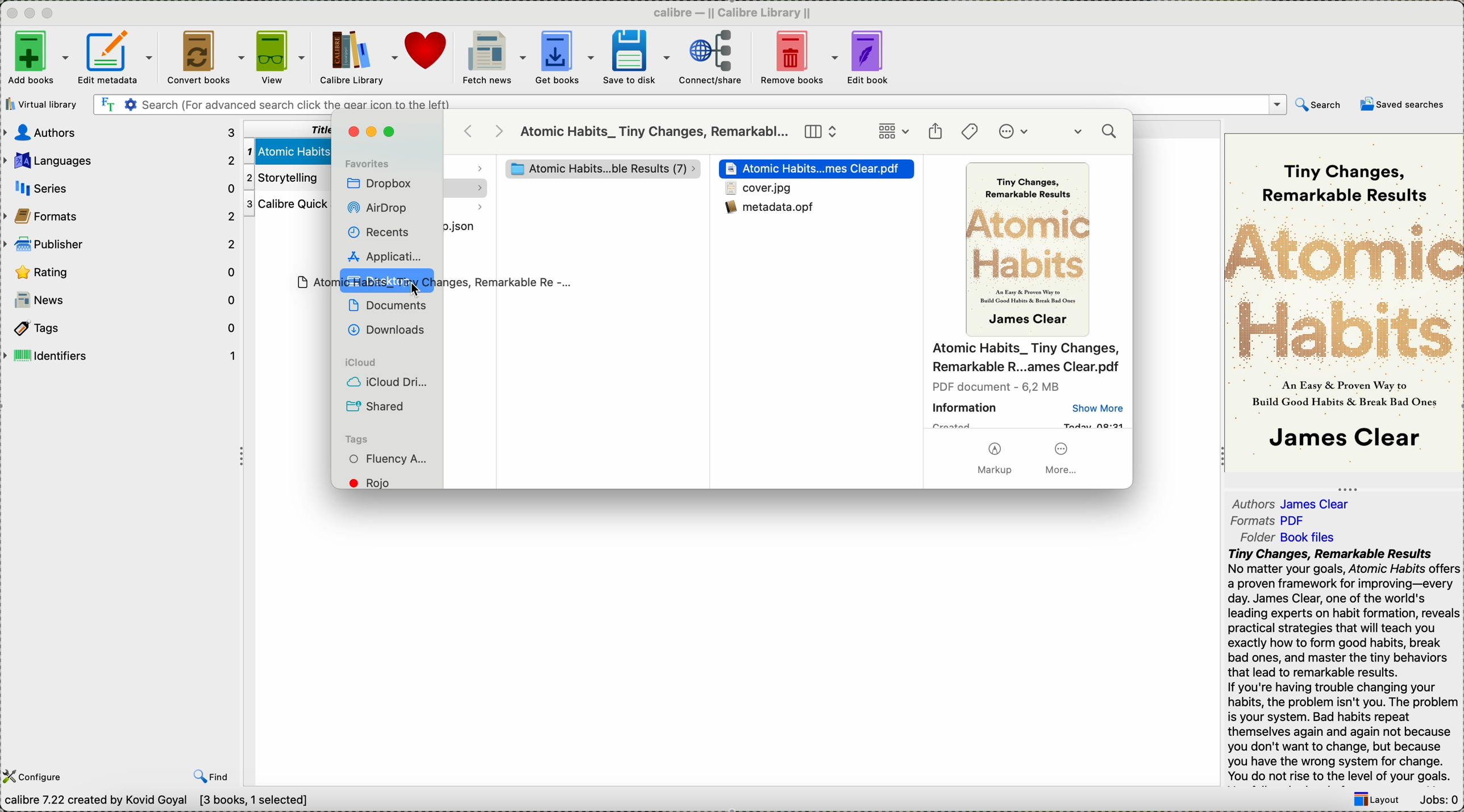 This screenshot has height=812, width=1464. Describe the element at coordinates (427, 51) in the screenshot. I see `donate` at that location.